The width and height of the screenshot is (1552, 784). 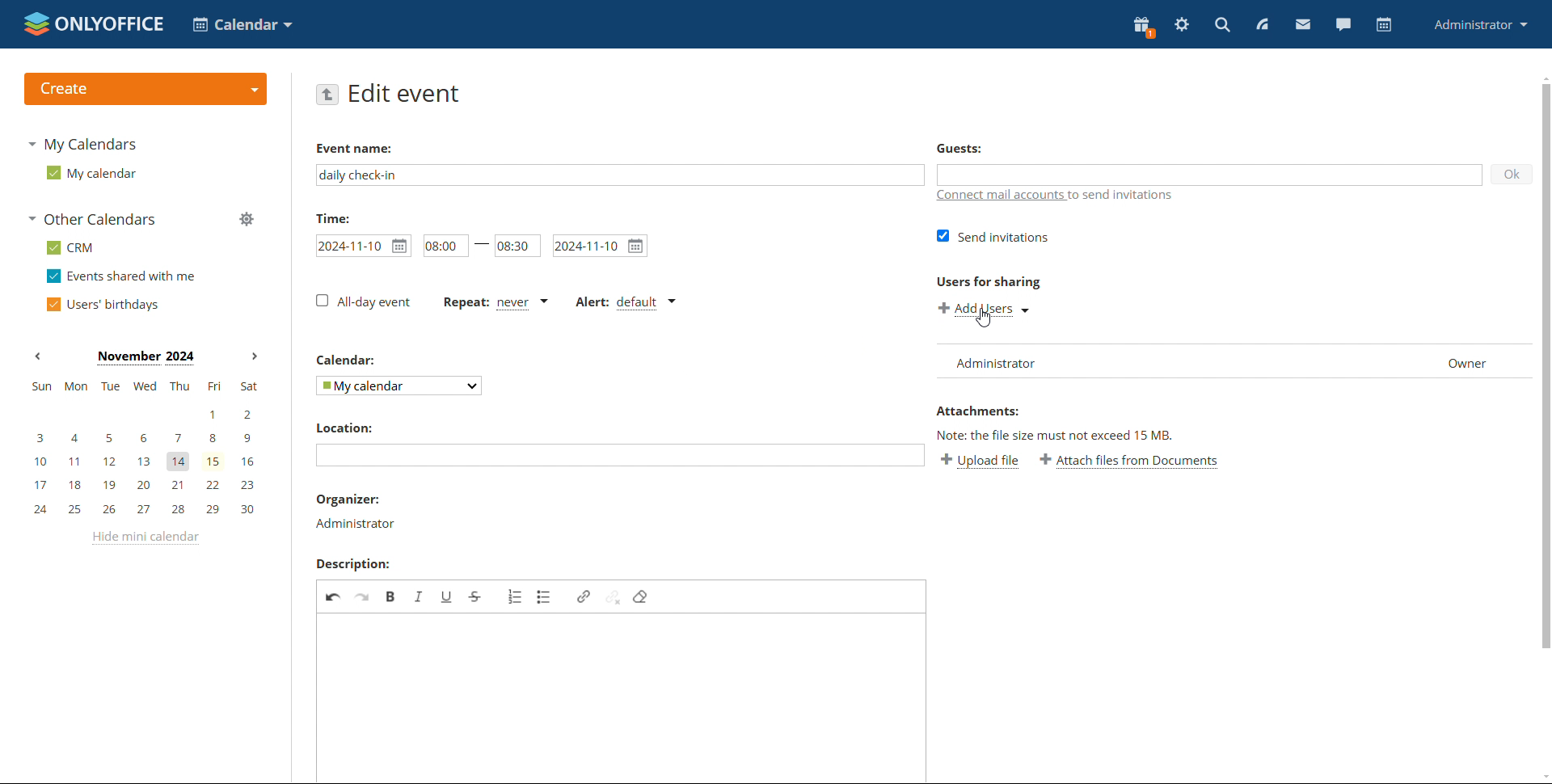 What do you see at coordinates (620, 455) in the screenshot?
I see `add location` at bounding box center [620, 455].